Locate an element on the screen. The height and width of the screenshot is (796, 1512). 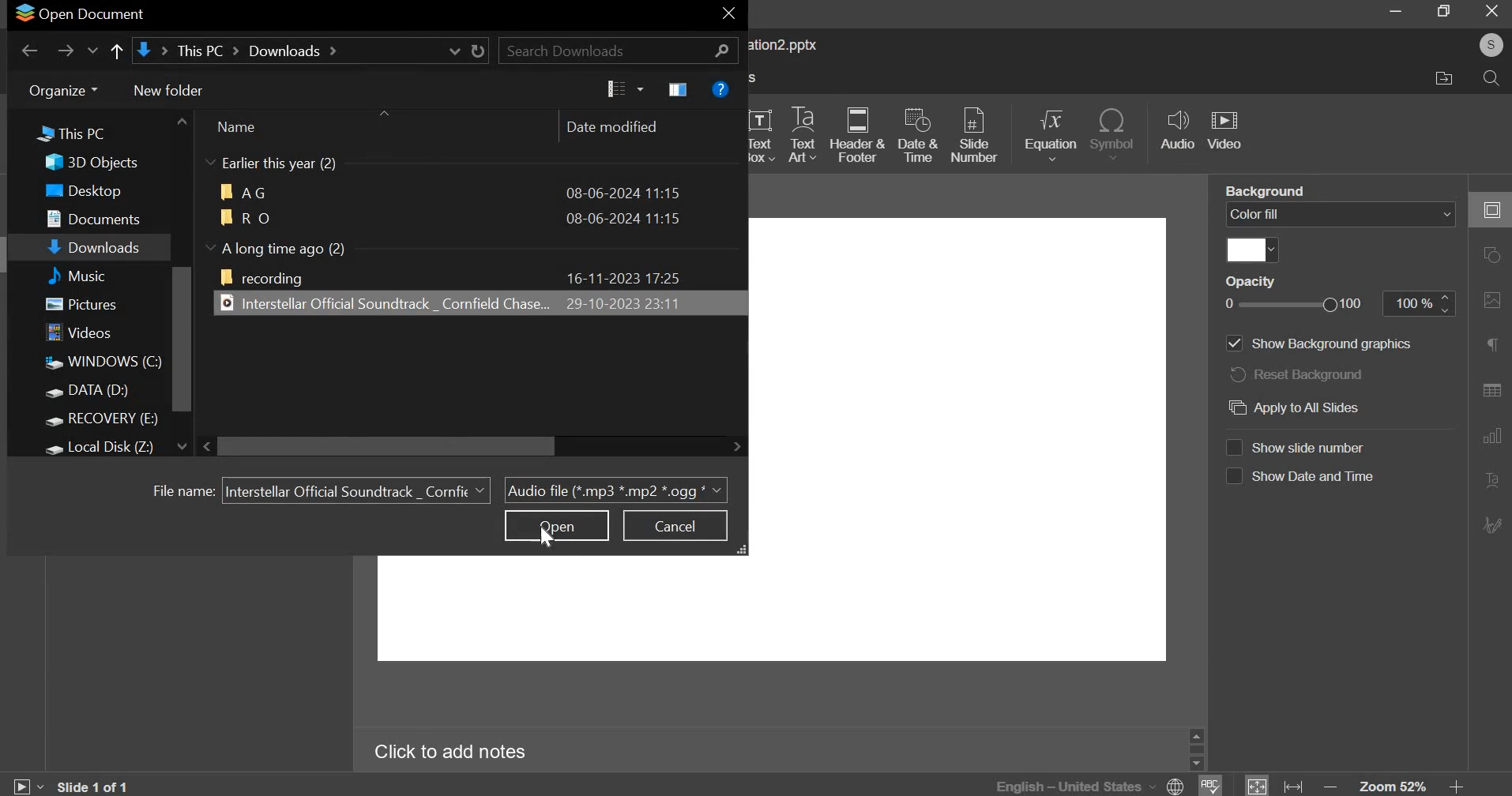
increase/decrease opacity is located at coordinates (1447, 303).